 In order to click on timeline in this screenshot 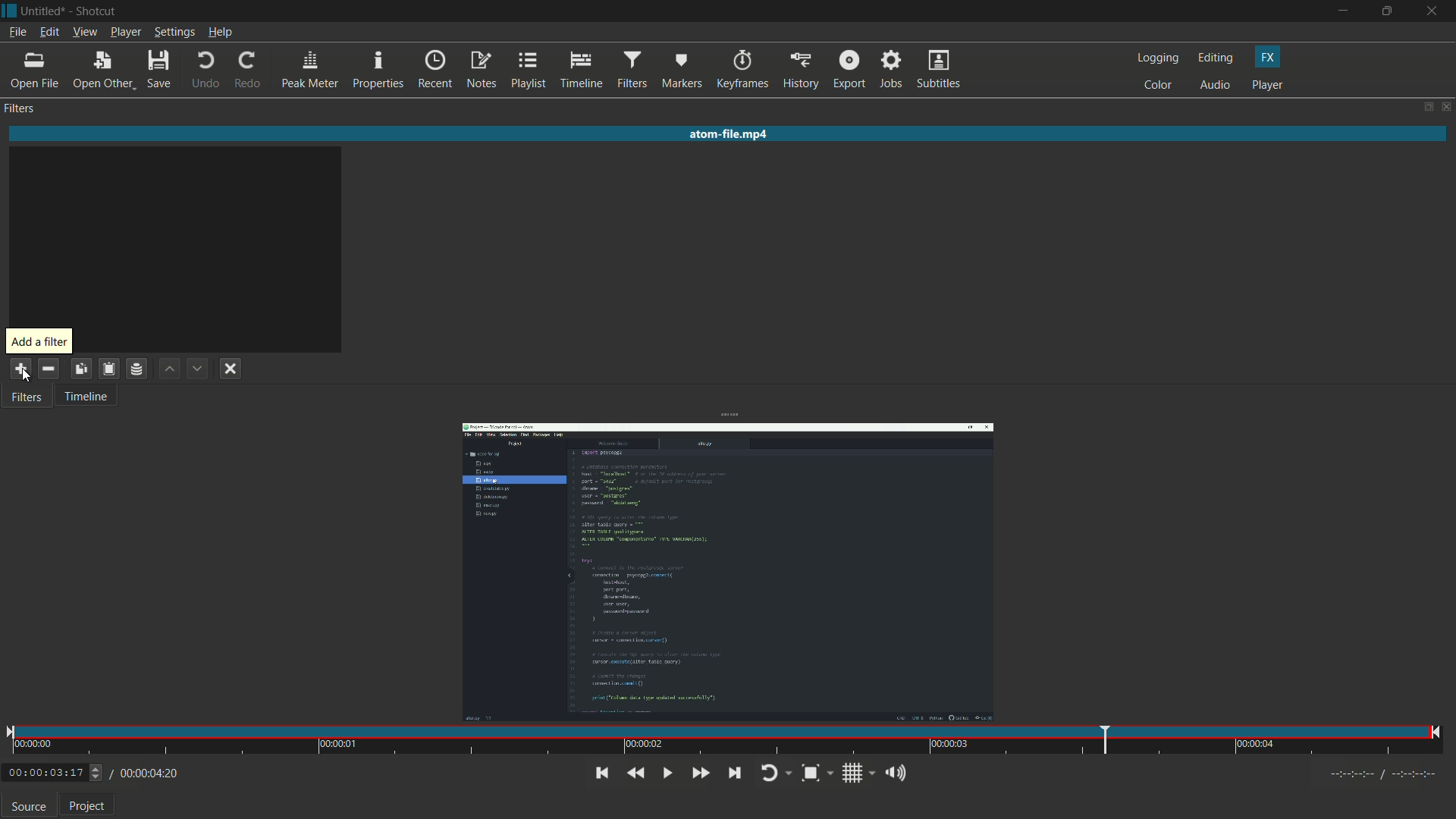, I will do `click(580, 71)`.